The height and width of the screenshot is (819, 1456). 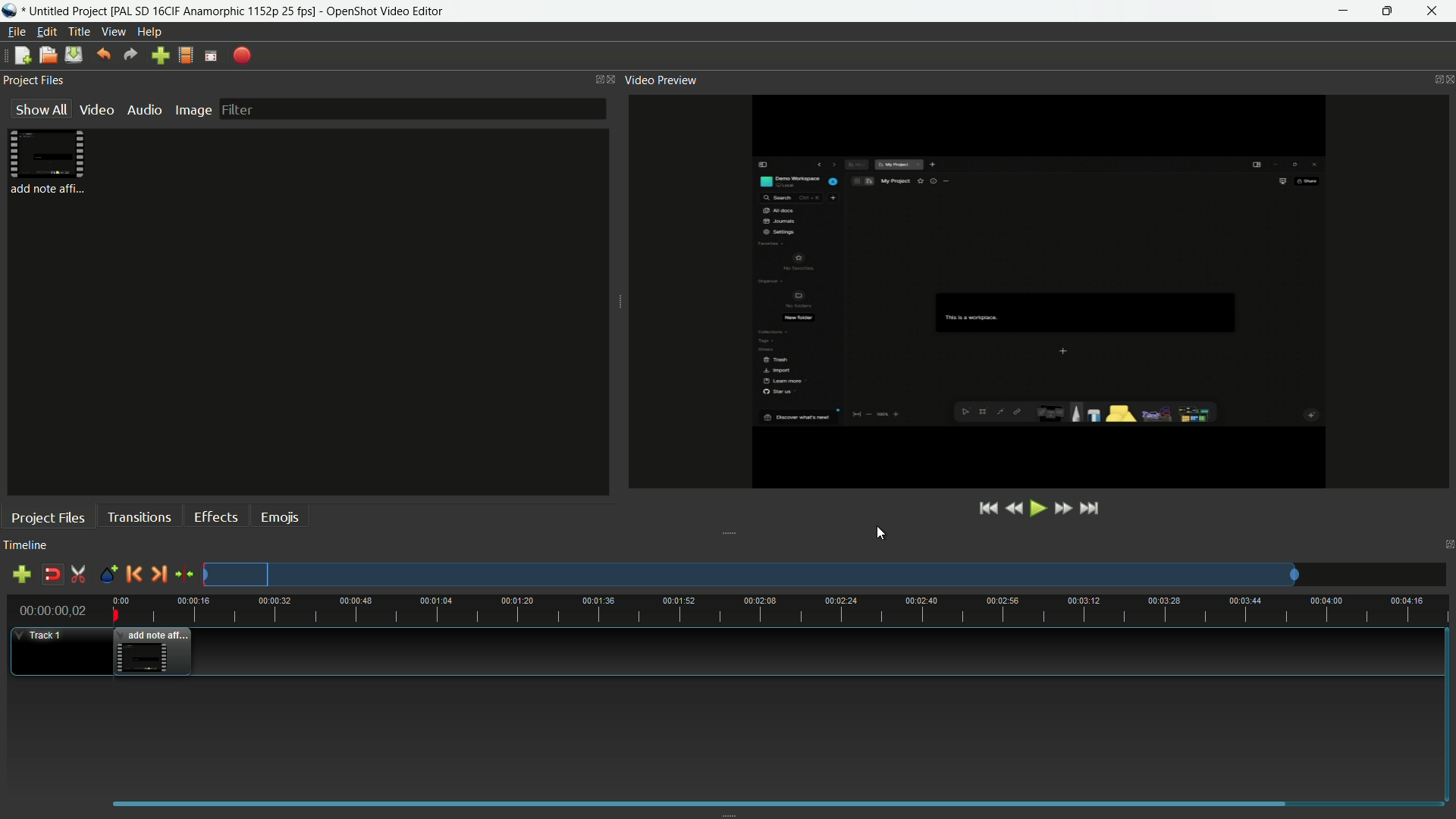 I want to click on project files, so click(x=49, y=517).